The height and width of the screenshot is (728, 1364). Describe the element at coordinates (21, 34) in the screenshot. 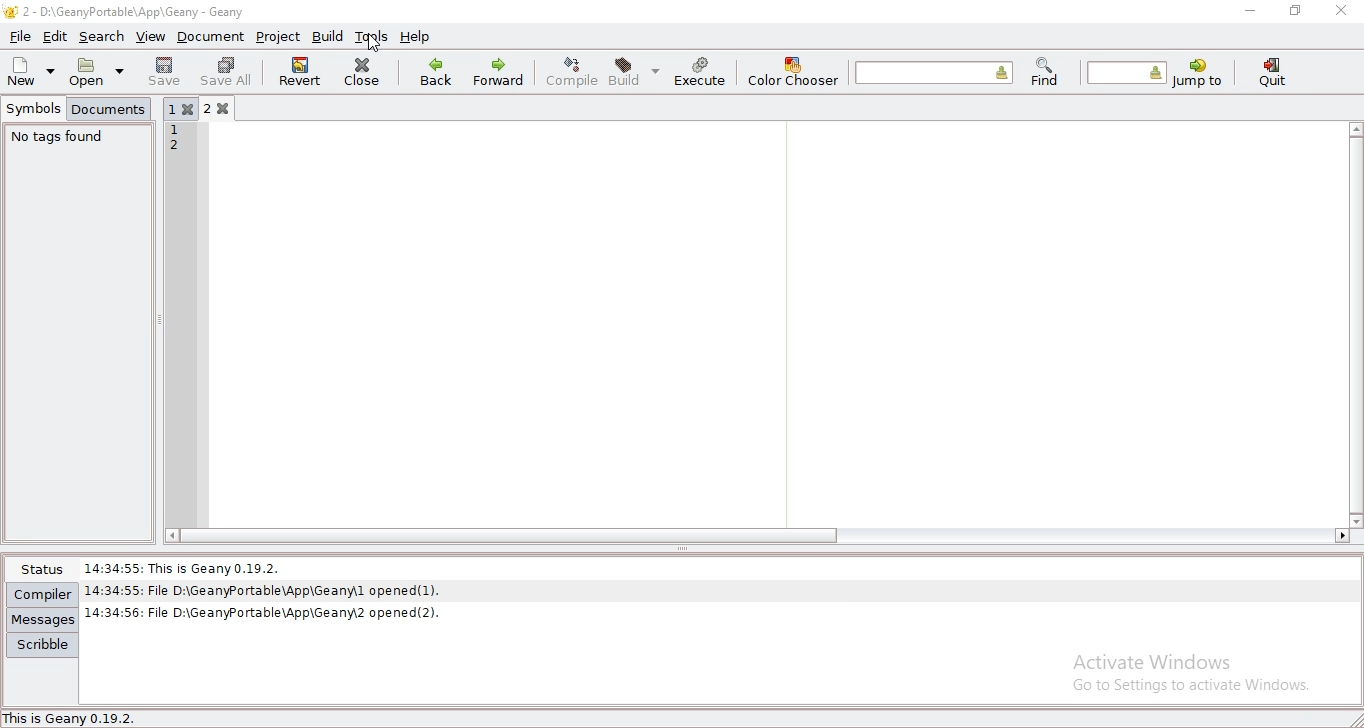

I see `file` at that location.